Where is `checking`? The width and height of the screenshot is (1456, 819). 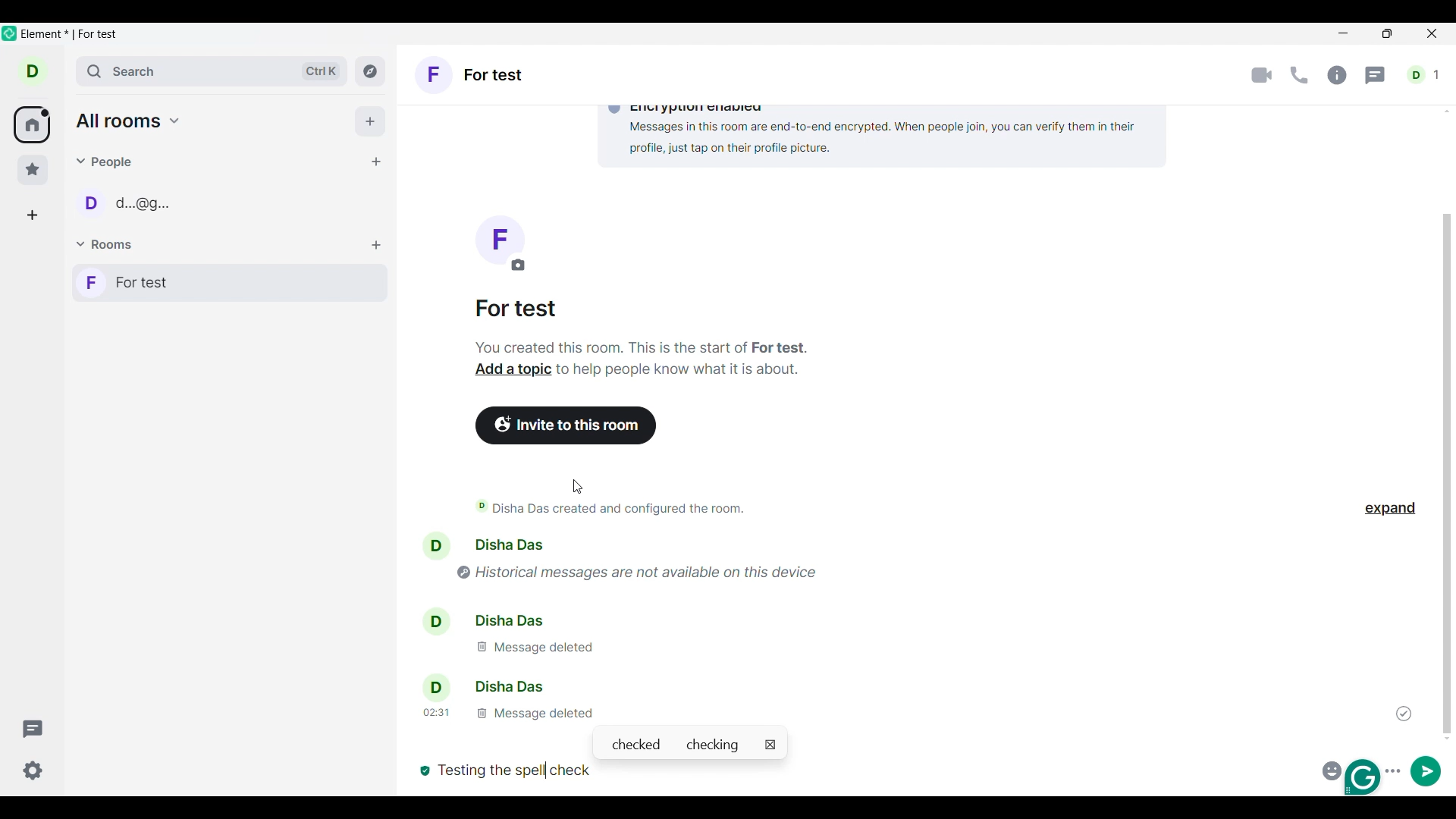 checking is located at coordinates (716, 745).